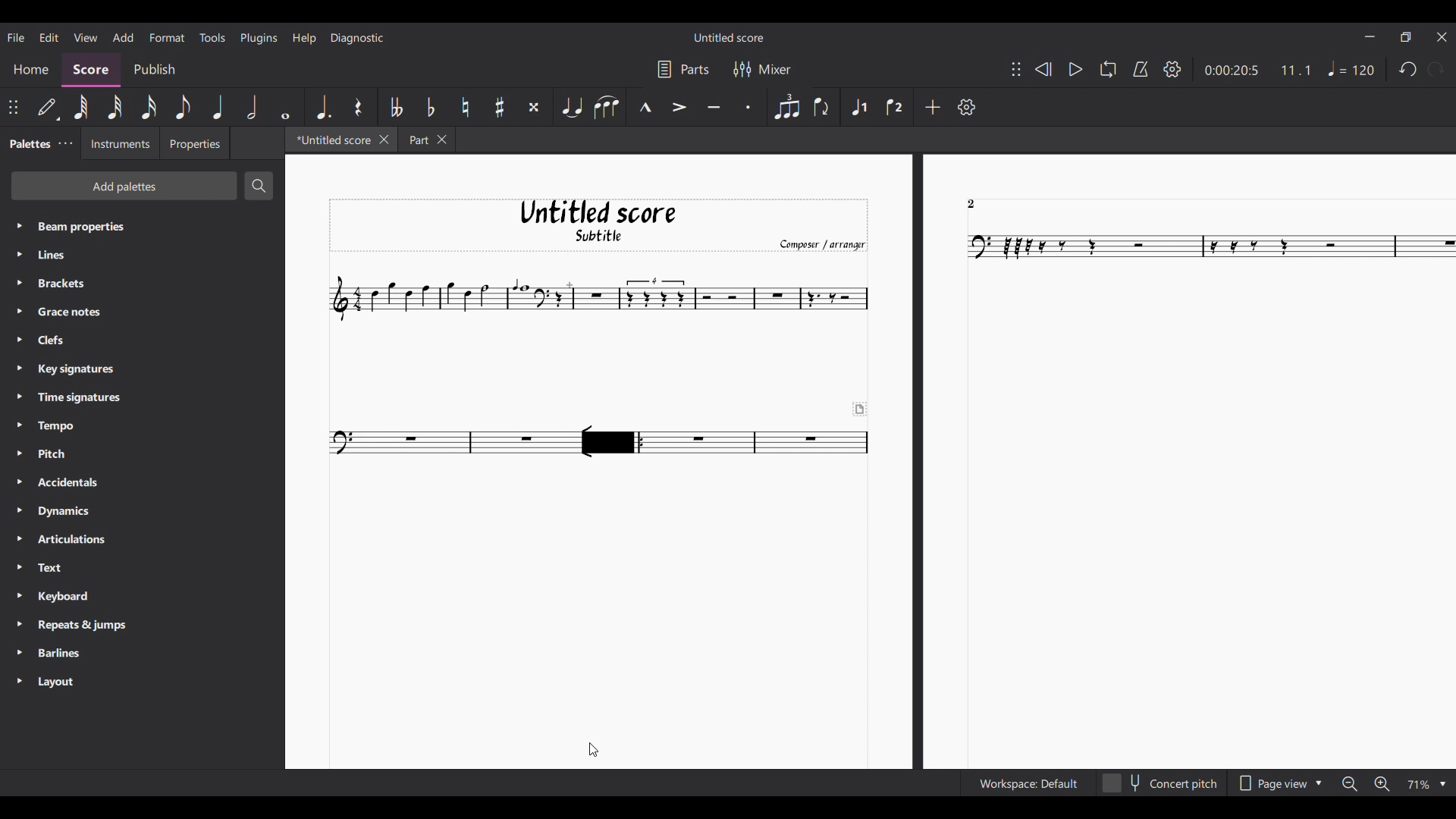 The width and height of the screenshot is (1456, 819). What do you see at coordinates (871, 460) in the screenshot?
I see `Current score` at bounding box center [871, 460].